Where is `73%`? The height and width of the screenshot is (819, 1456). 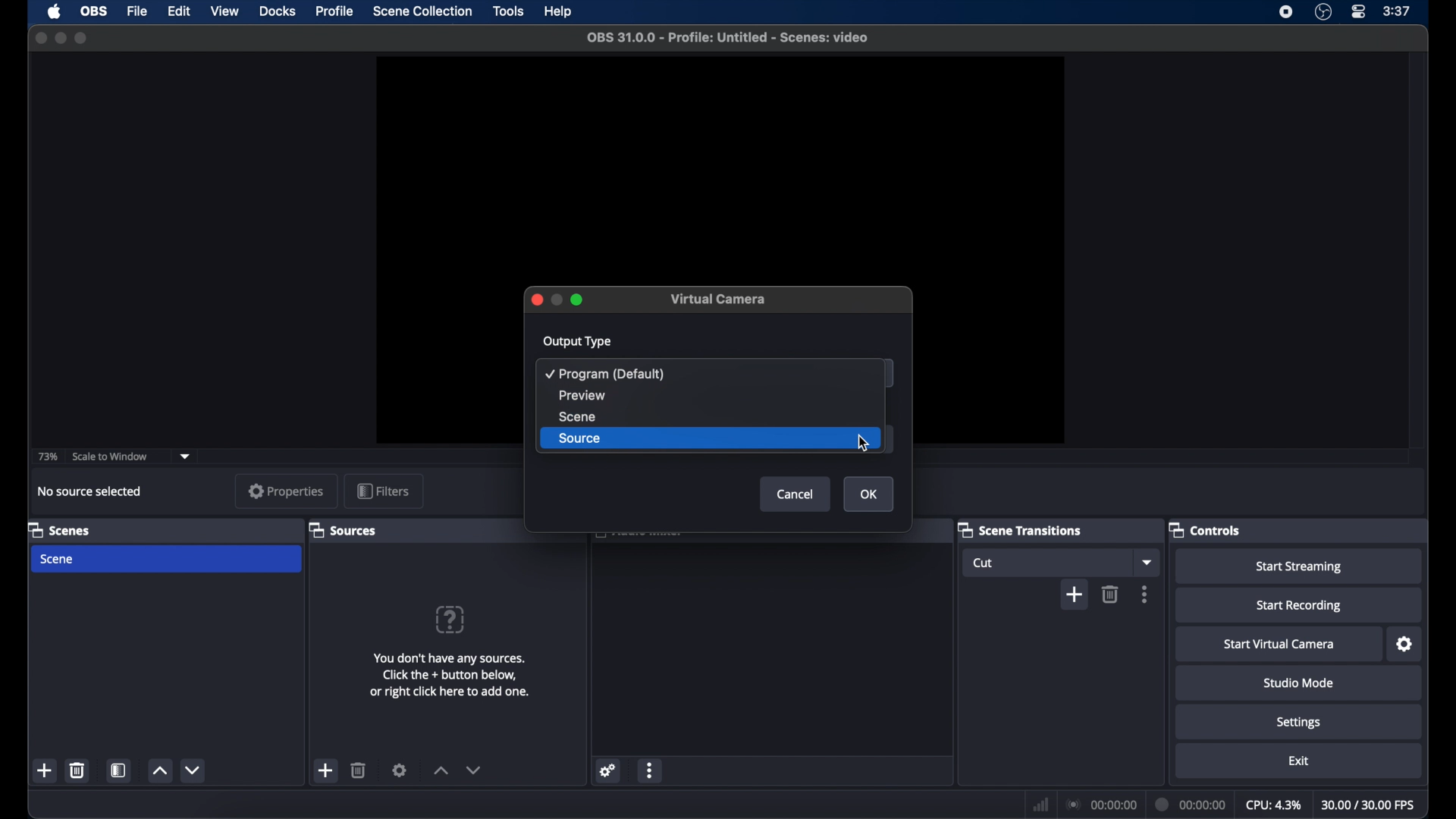
73% is located at coordinates (46, 457).